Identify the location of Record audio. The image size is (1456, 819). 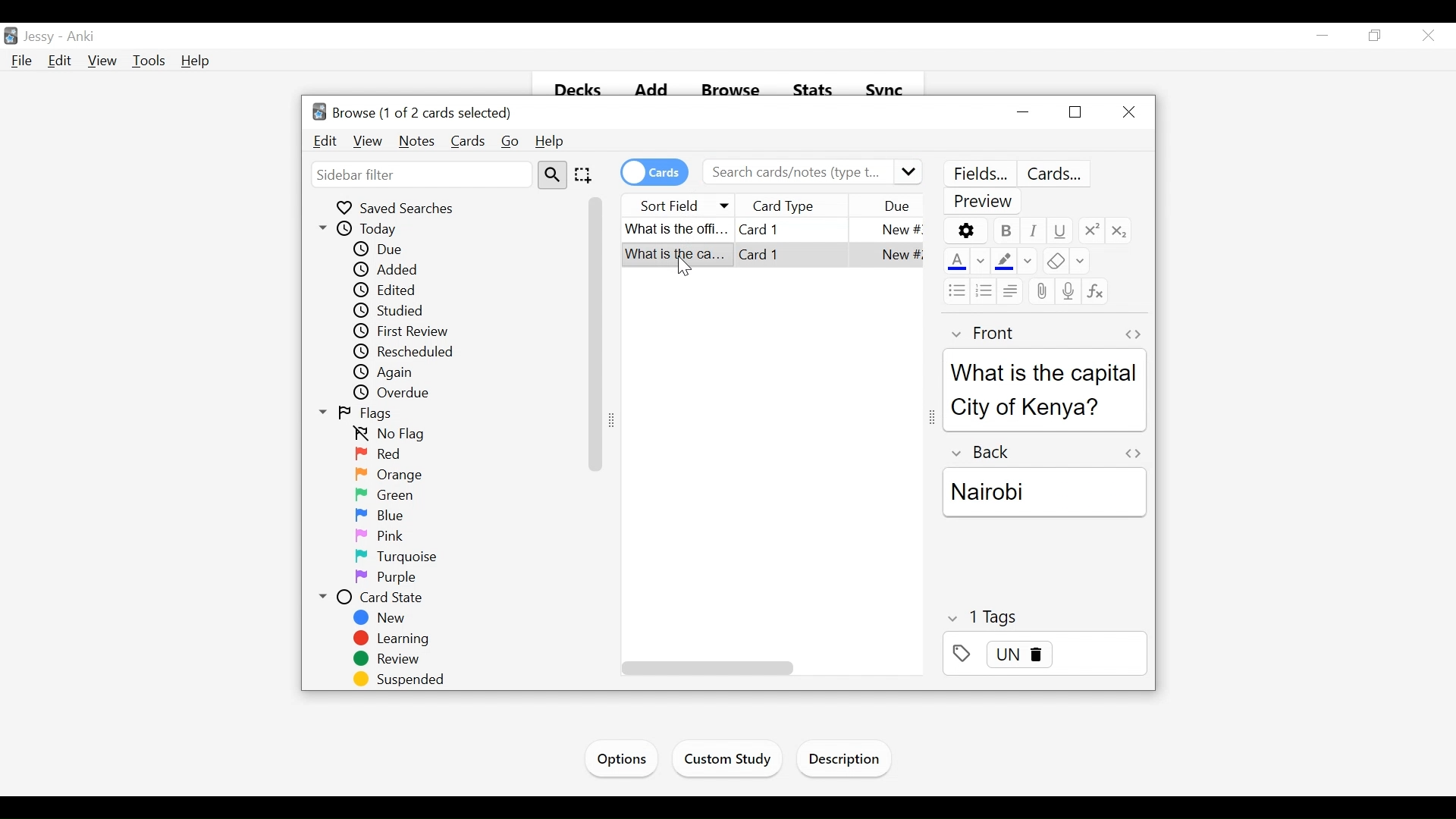
(1067, 290).